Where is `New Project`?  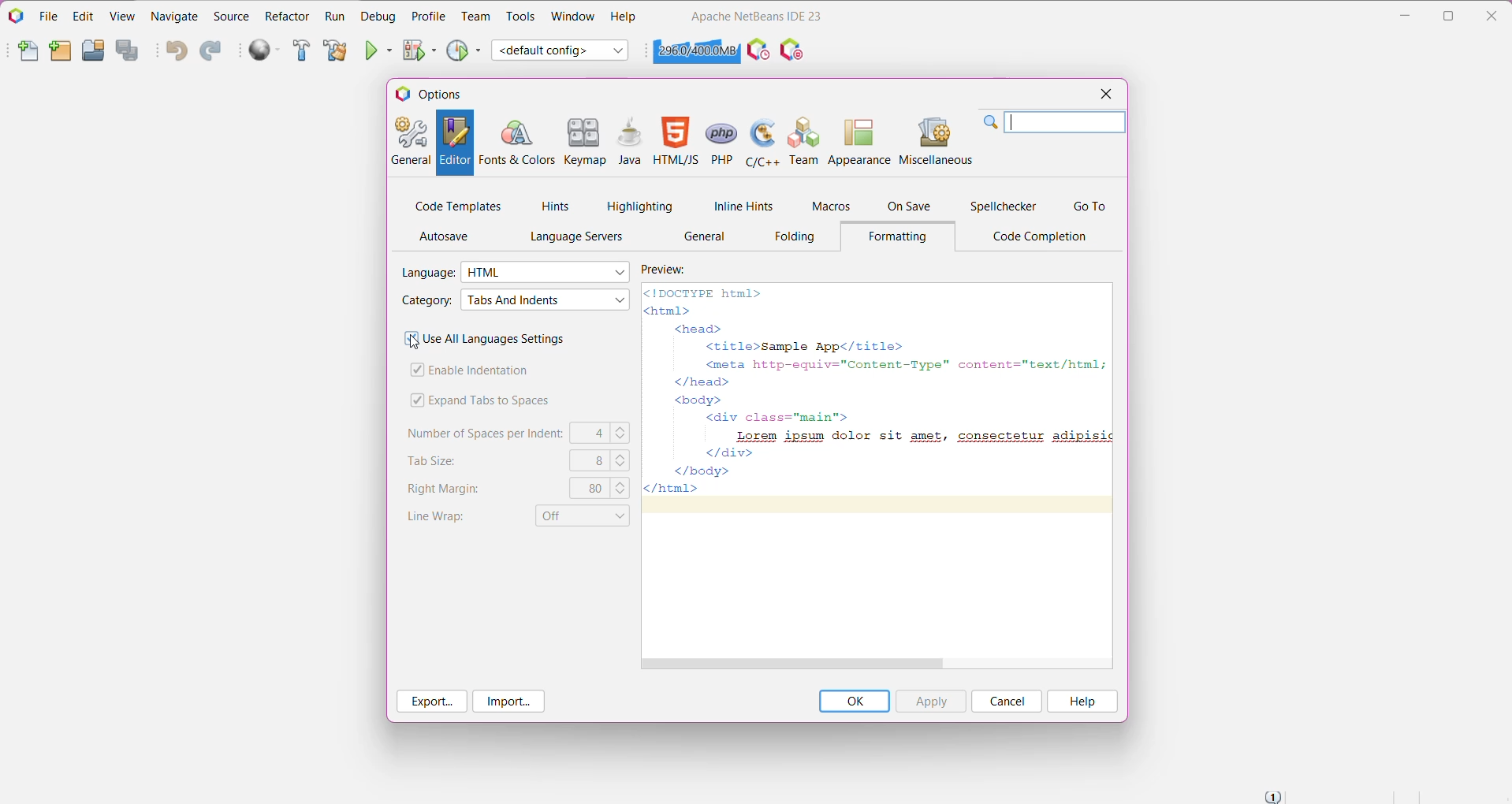 New Project is located at coordinates (60, 52).